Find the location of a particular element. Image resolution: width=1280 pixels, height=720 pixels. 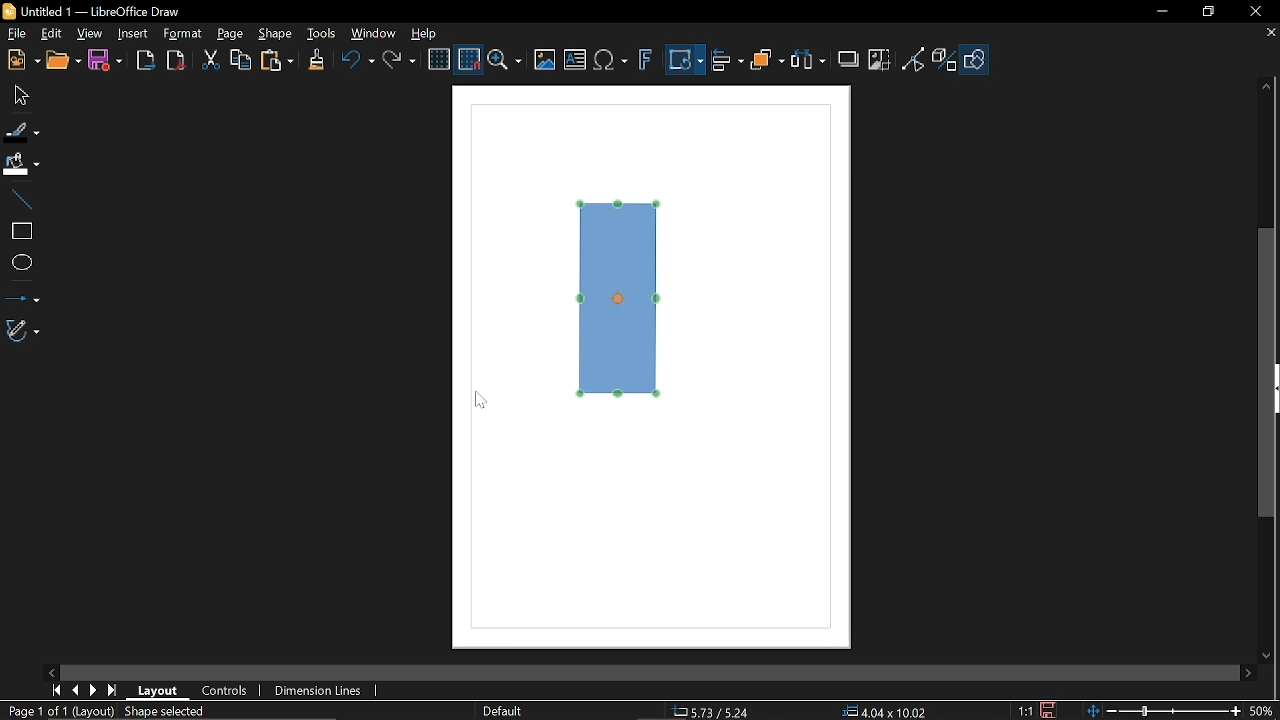

MOve right is located at coordinates (91, 691).